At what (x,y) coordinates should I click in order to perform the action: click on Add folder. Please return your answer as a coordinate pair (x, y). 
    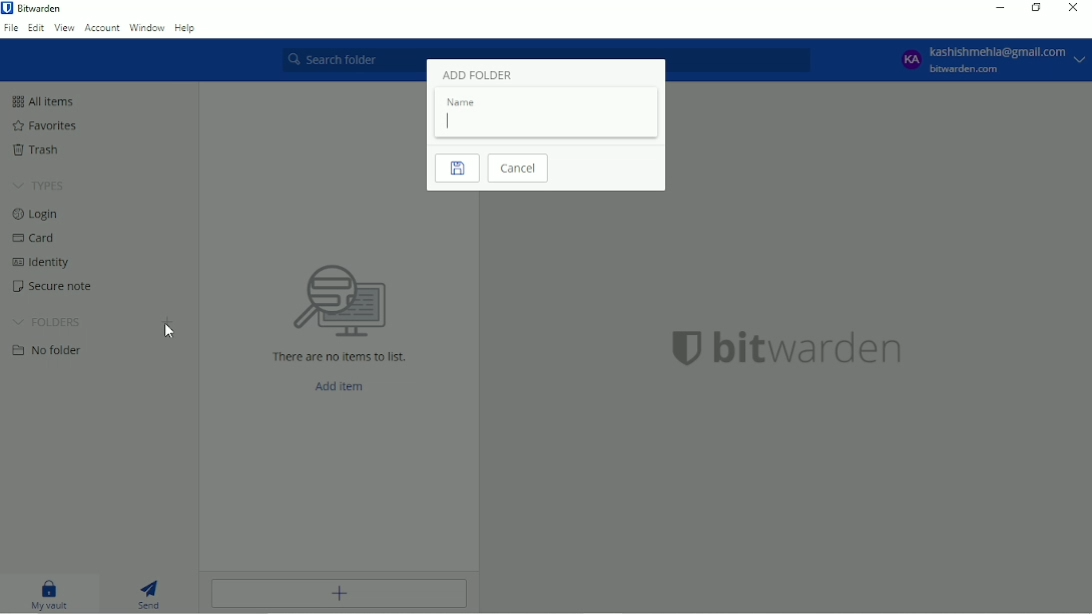
    Looking at the image, I should click on (168, 322).